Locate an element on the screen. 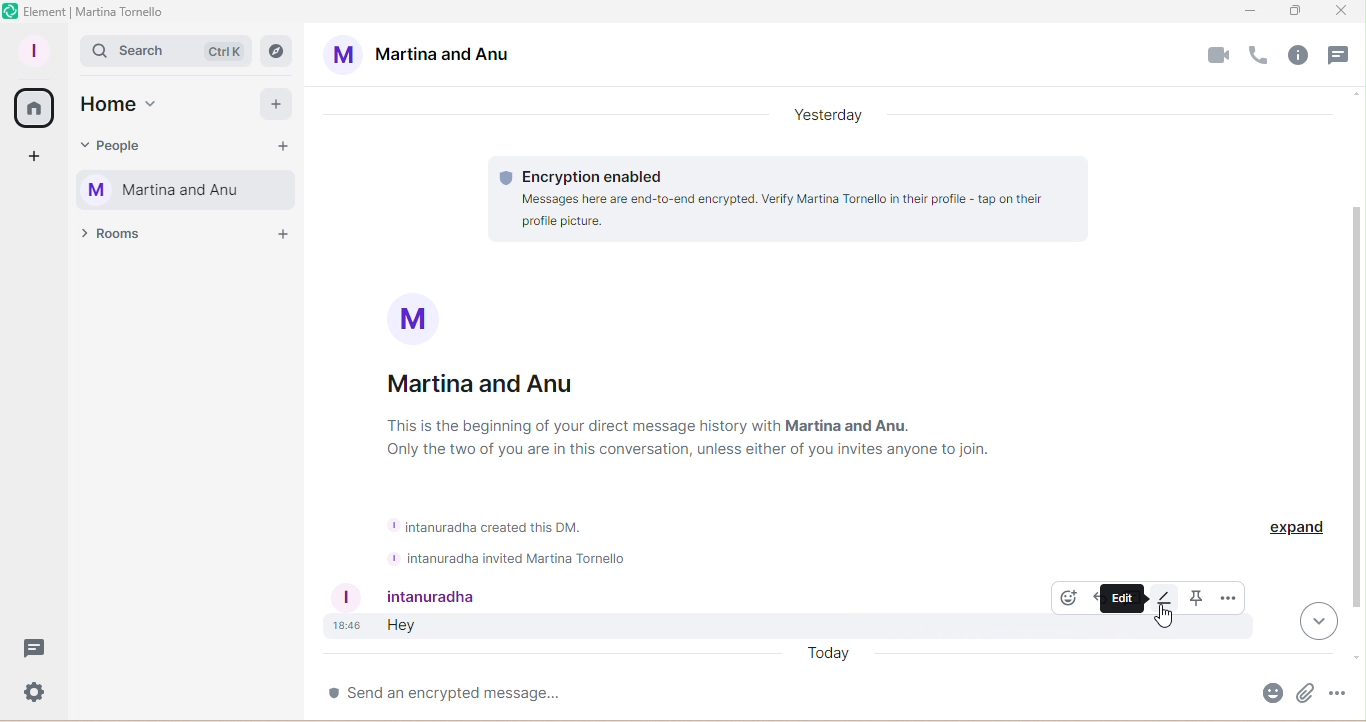  Search bar is located at coordinates (165, 53).